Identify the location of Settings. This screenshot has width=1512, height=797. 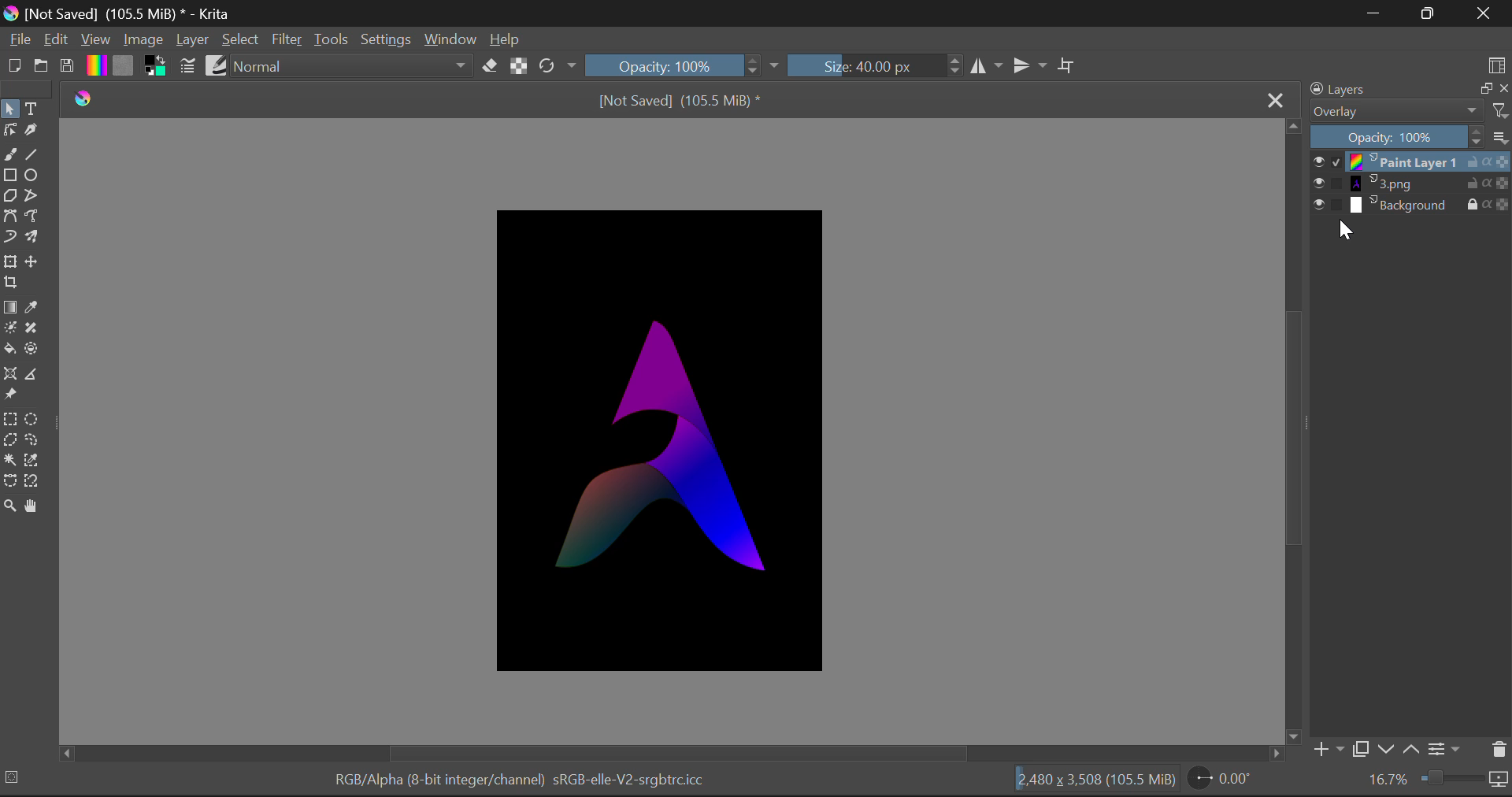
(1447, 751).